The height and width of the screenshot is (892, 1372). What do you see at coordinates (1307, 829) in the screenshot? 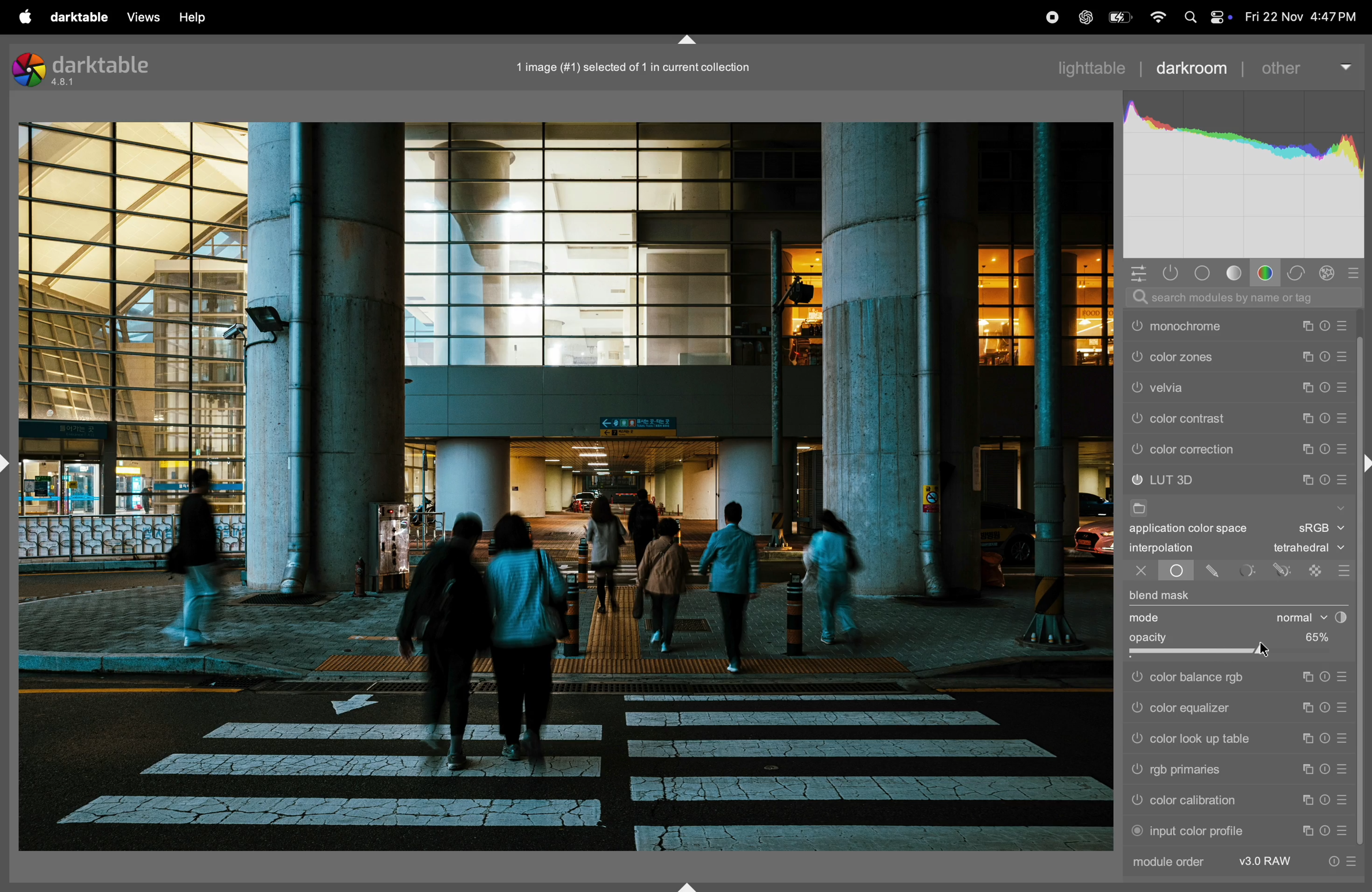
I see `multiple instance actions` at bounding box center [1307, 829].